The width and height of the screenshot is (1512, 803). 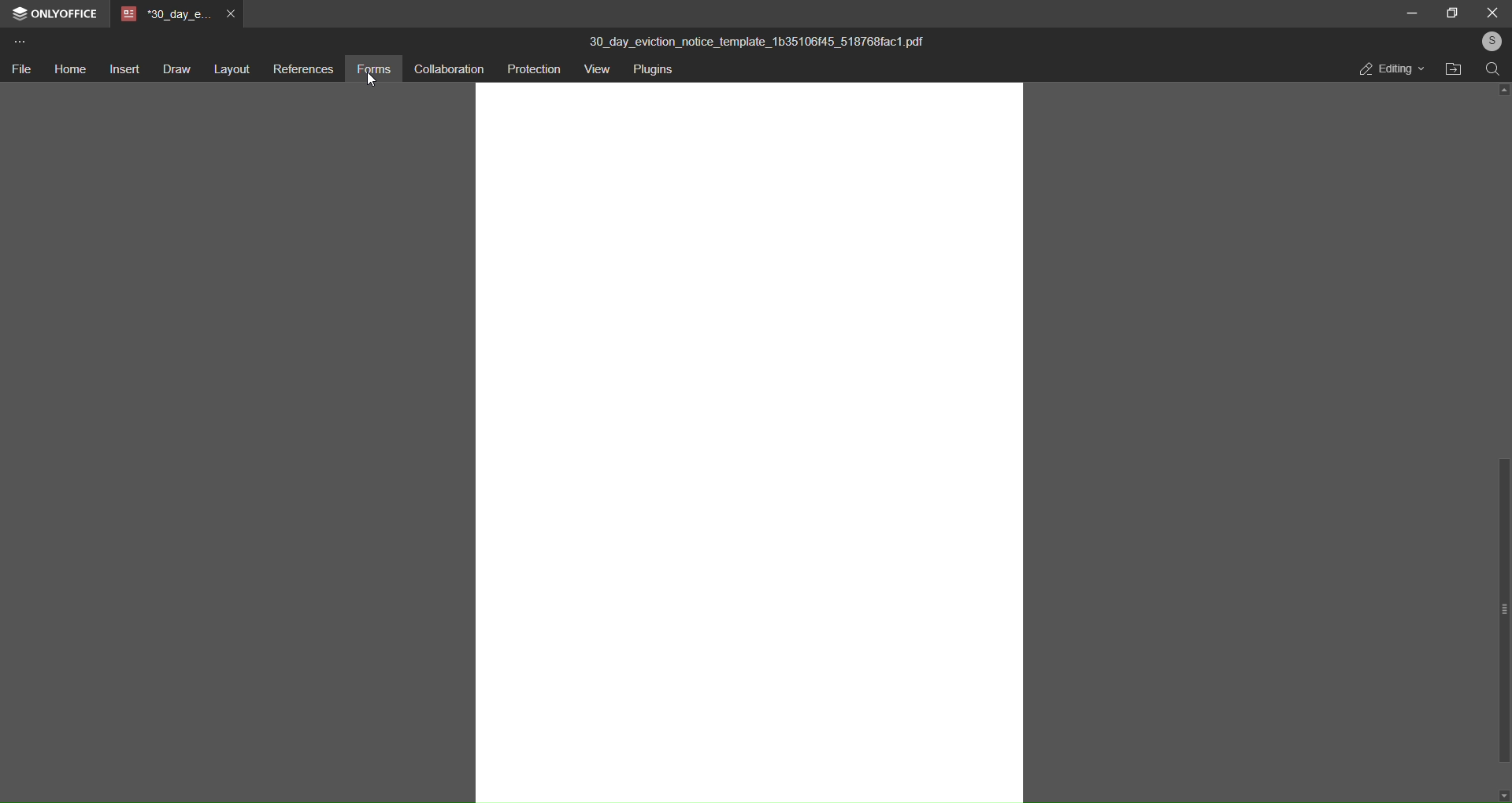 What do you see at coordinates (235, 12) in the screenshot?
I see `close tab` at bounding box center [235, 12].